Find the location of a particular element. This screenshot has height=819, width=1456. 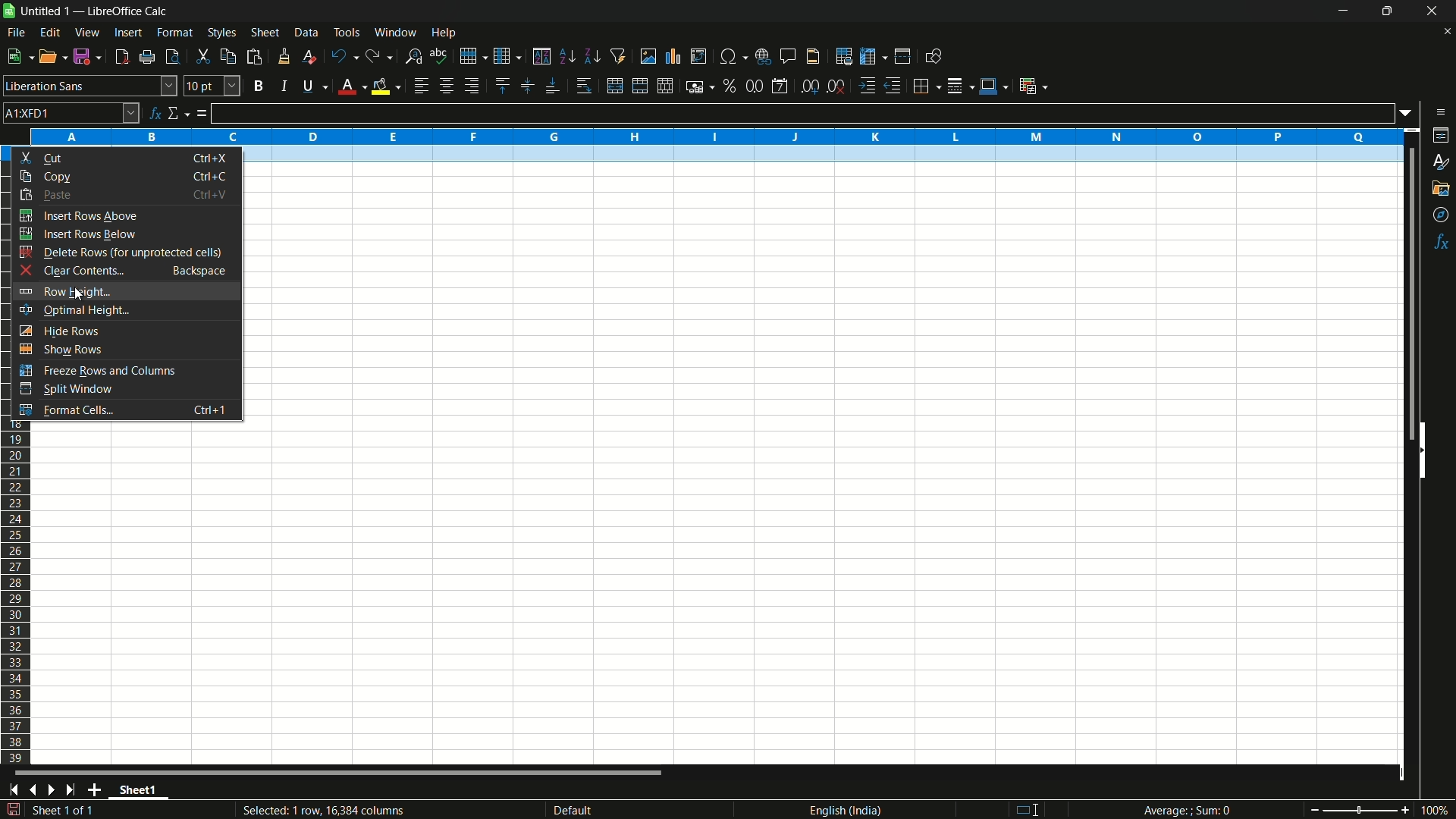

insert rows above is located at coordinates (125, 215).